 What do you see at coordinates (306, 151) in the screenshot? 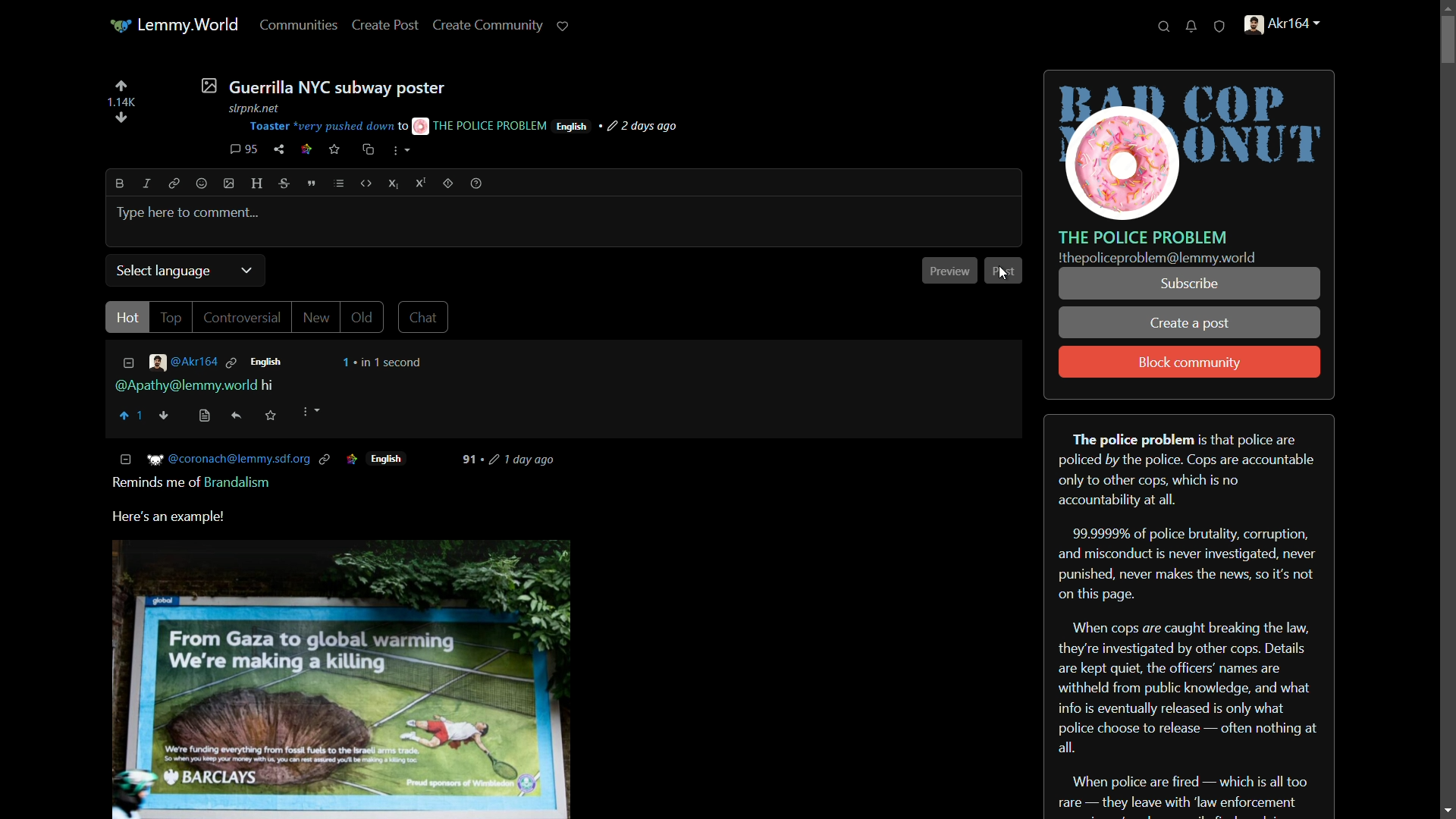
I see `link` at bounding box center [306, 151].